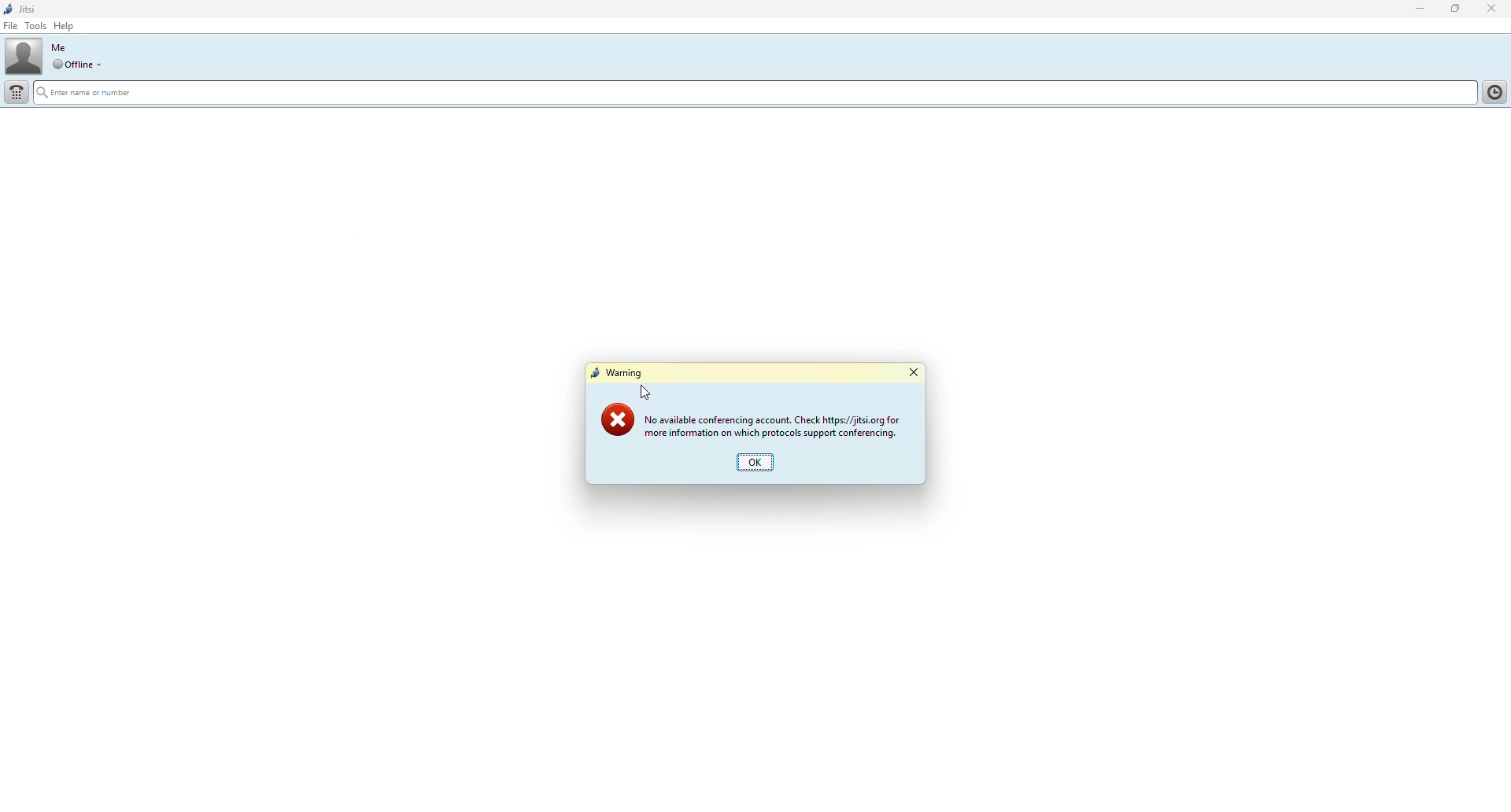 The image size is (1511, 812). What do you see at coordinates (69, 24) in the screenshot?
I see `help` at bounding box center [69, 24].